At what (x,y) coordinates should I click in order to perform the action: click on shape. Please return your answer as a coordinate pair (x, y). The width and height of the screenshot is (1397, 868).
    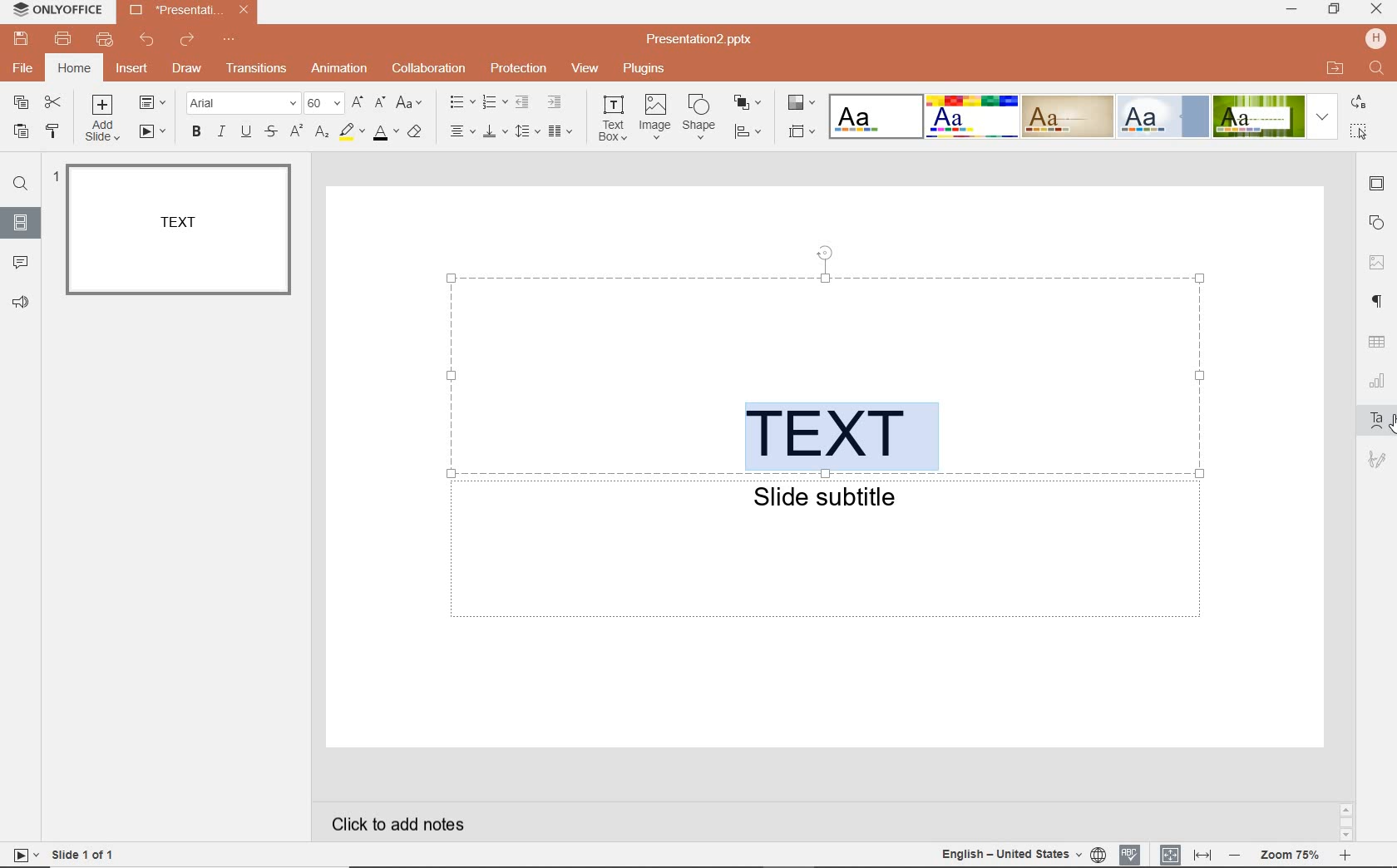
    Looking at the image, I should click on (701, 117).